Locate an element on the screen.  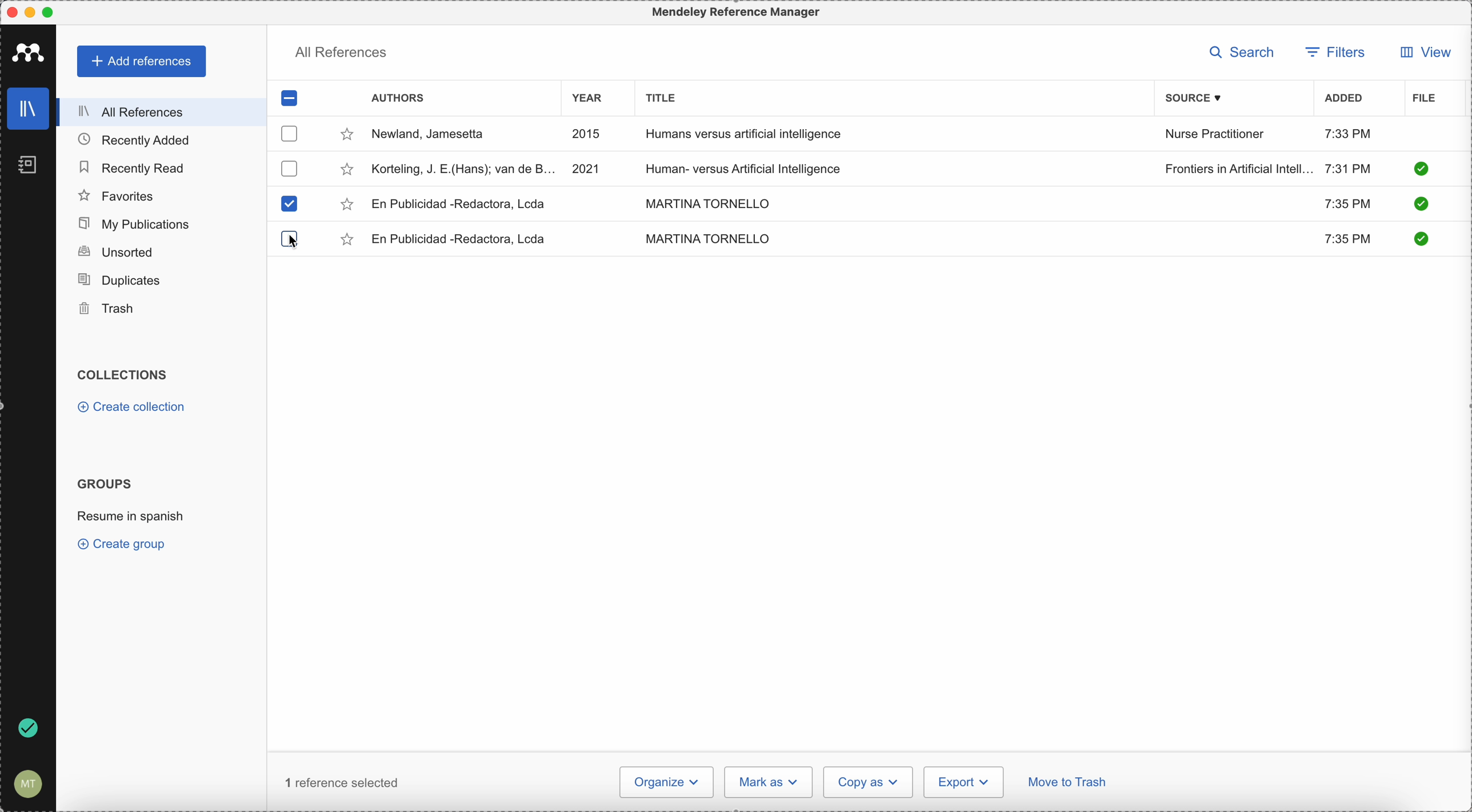
move to trash is located at coordinates (1069, 784).